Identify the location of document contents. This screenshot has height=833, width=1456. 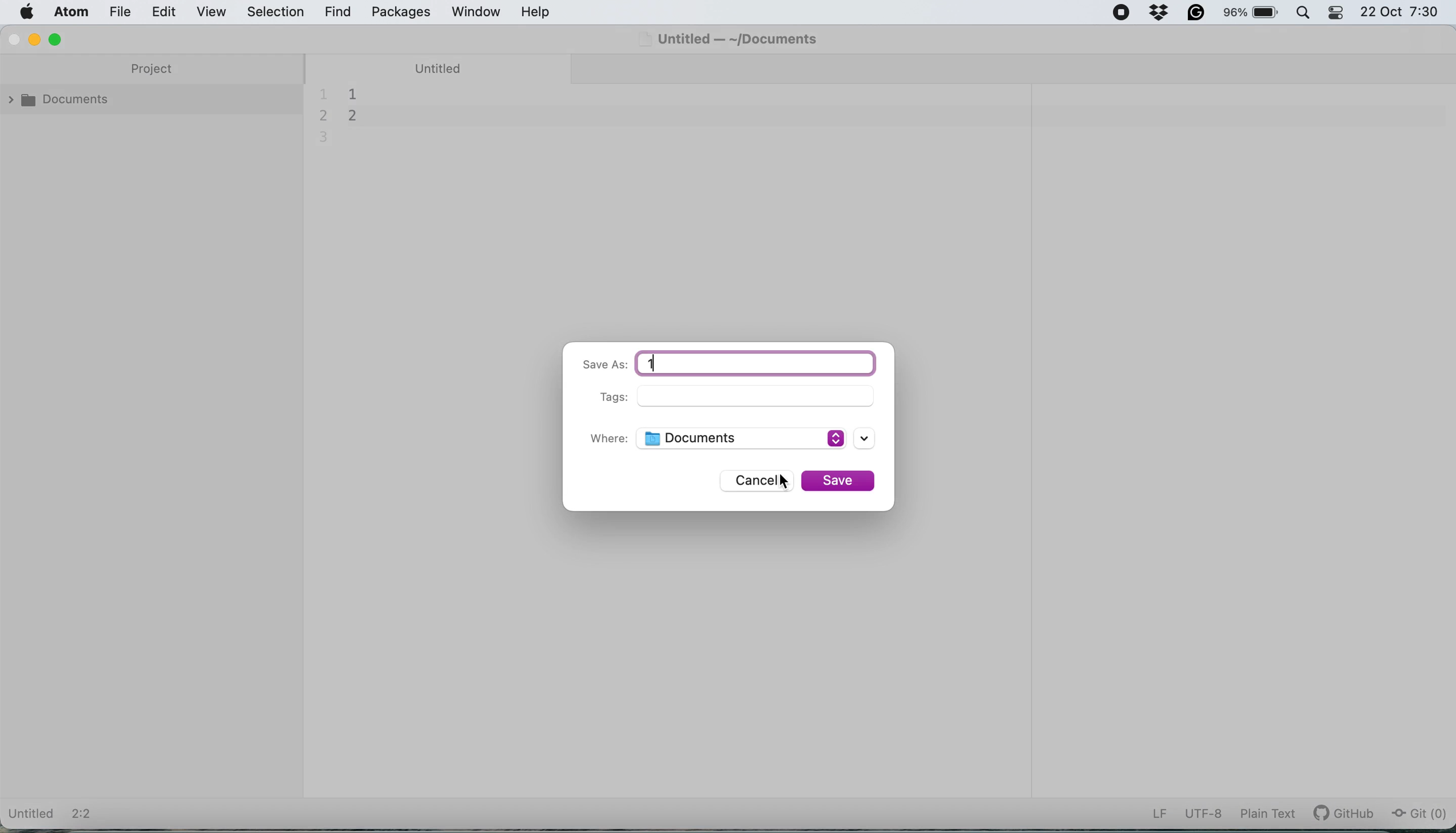
(351, 114).